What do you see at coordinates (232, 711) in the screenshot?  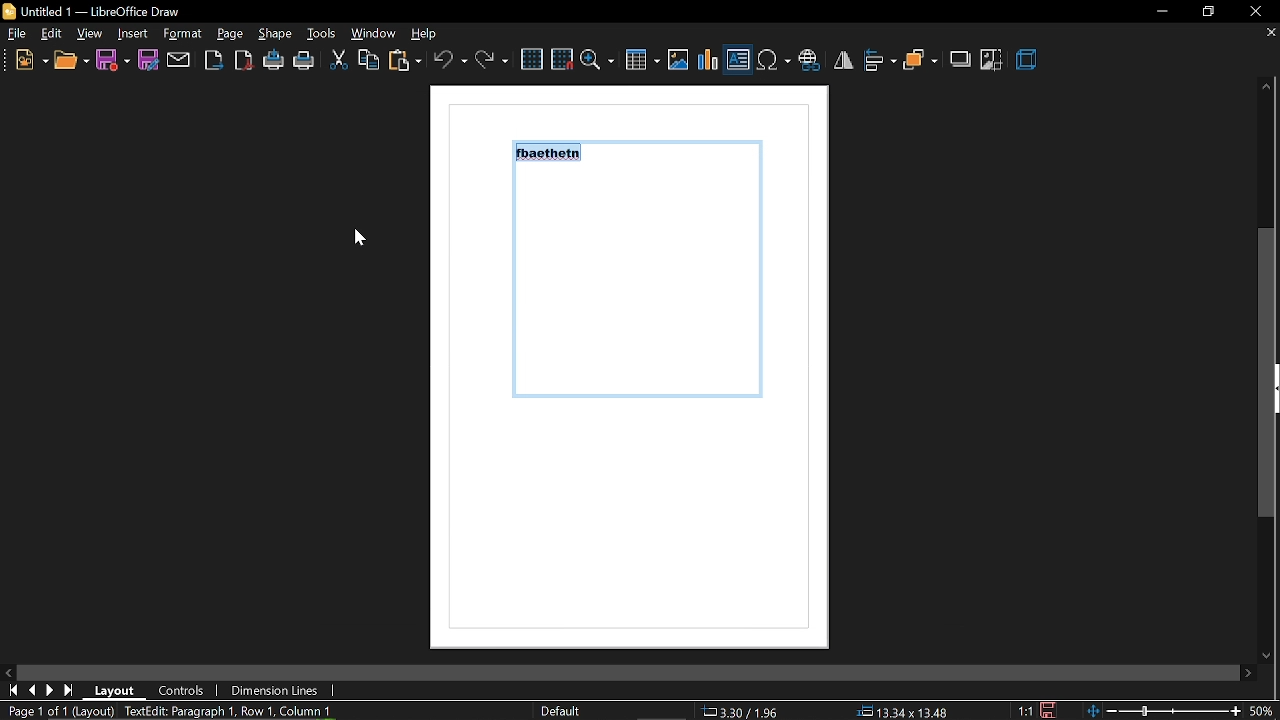 I see `TextEdit: Paragraph 1, Row 1, Column 10` at bounding box center [232, 711].